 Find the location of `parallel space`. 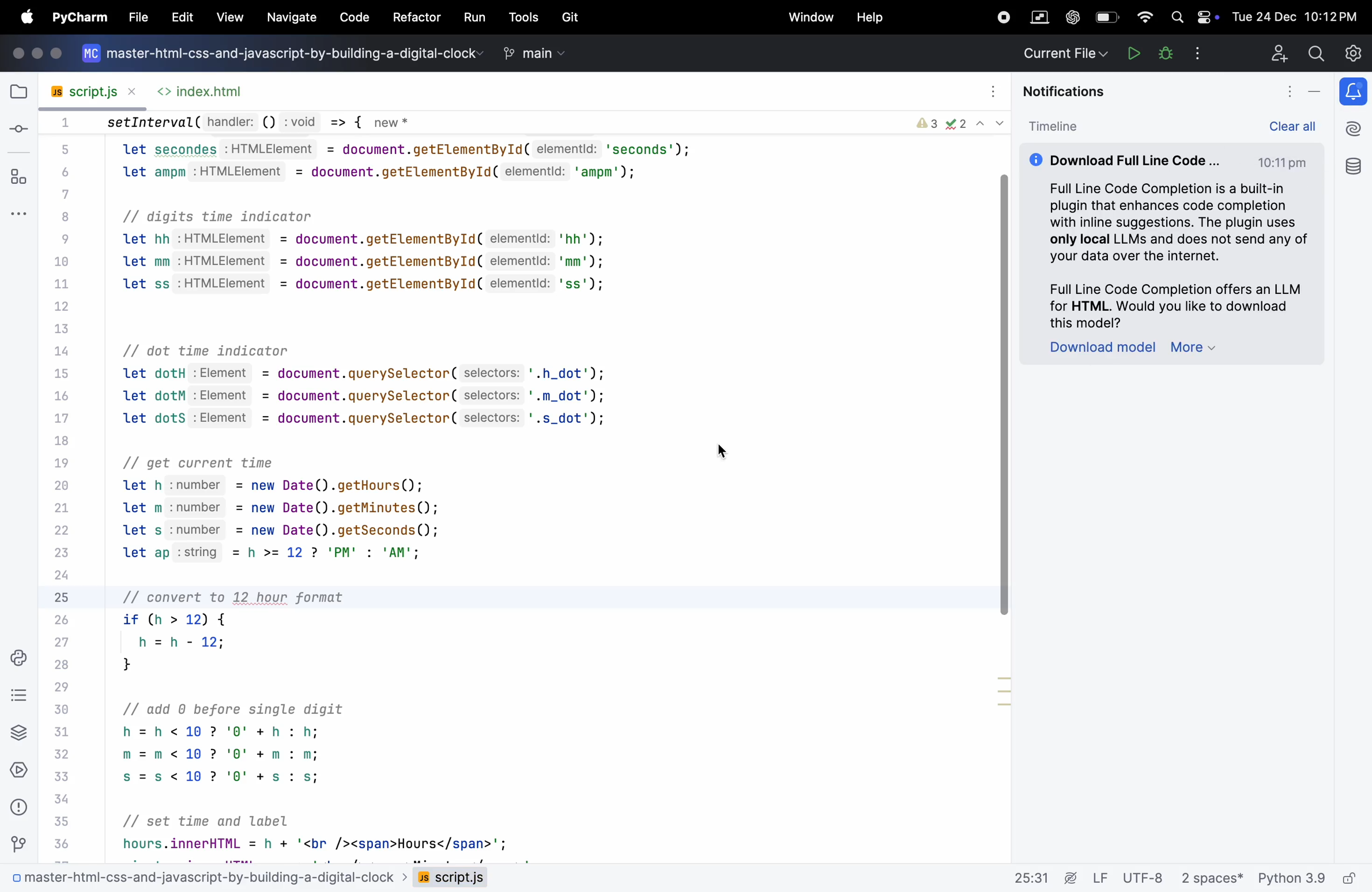

parallel space is located at coordinates (1041, 16).